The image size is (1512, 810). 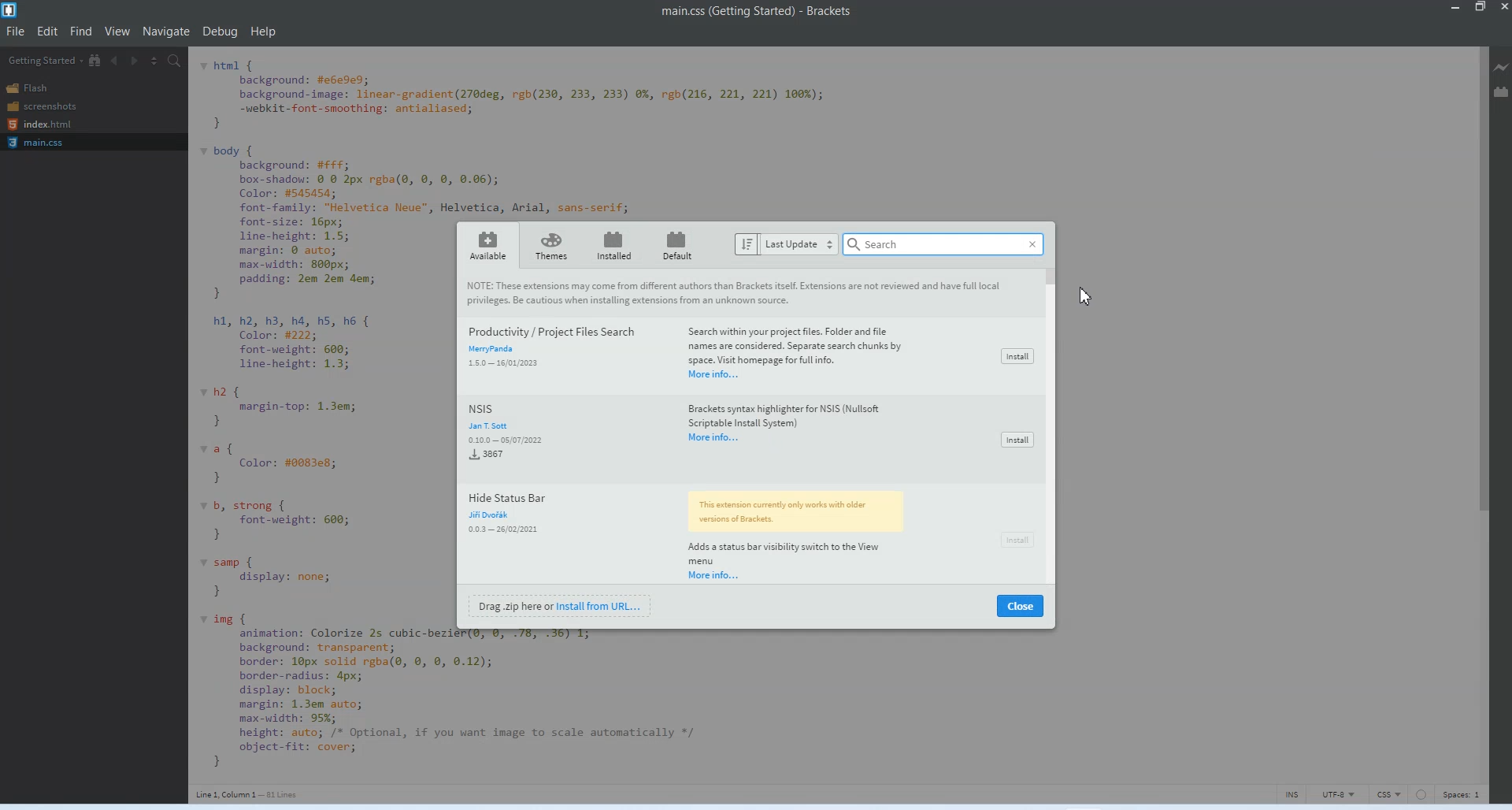 What do you see at coordinates (1502, 67) in the screenshot?
I see `Live Preview` at bounding box center [1502, 67].